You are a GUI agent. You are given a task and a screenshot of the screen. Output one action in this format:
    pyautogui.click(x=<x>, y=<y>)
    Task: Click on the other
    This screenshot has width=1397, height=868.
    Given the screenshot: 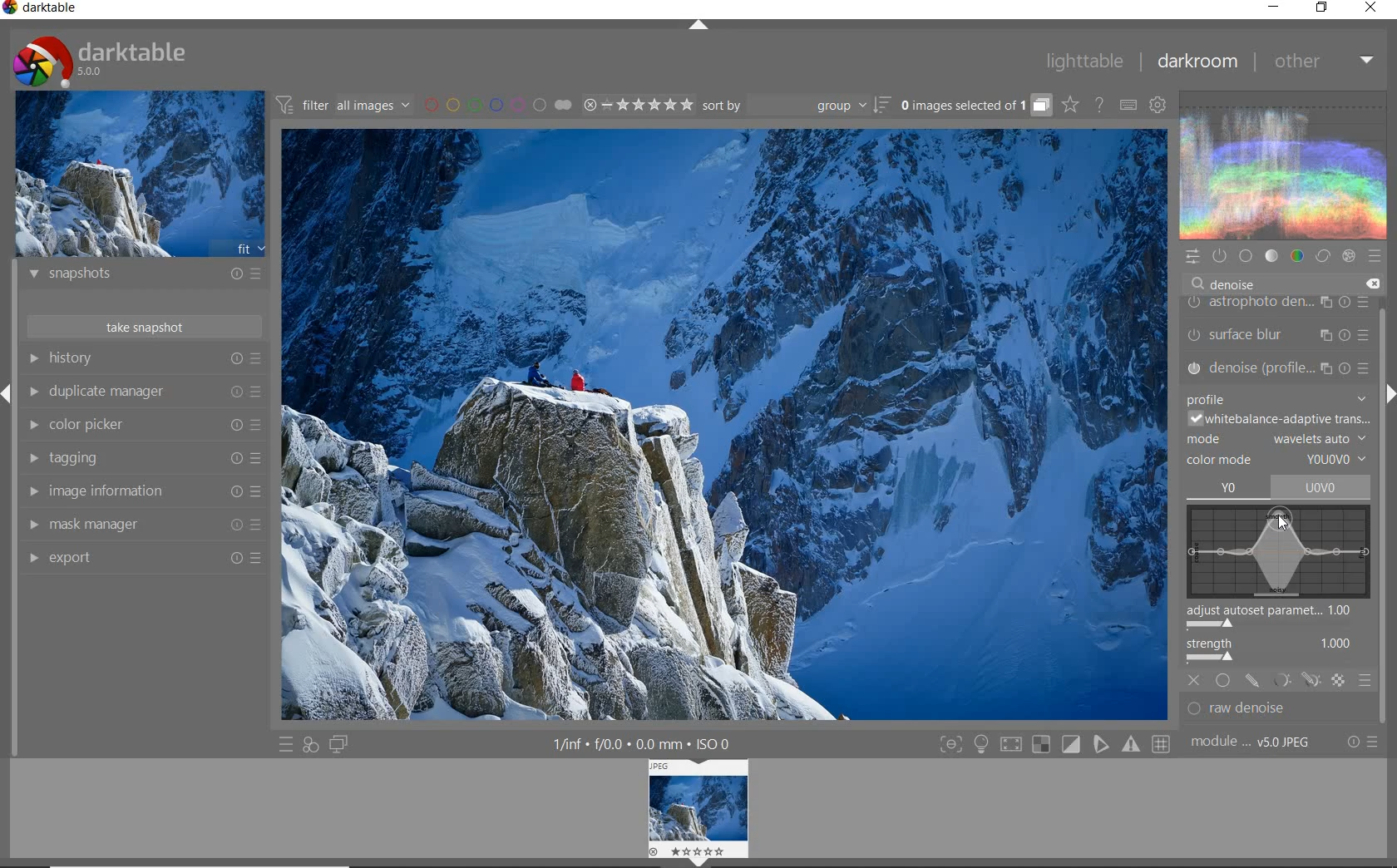 What is the action you would take?
    pyautogui.click(x=1323, y=64)
    